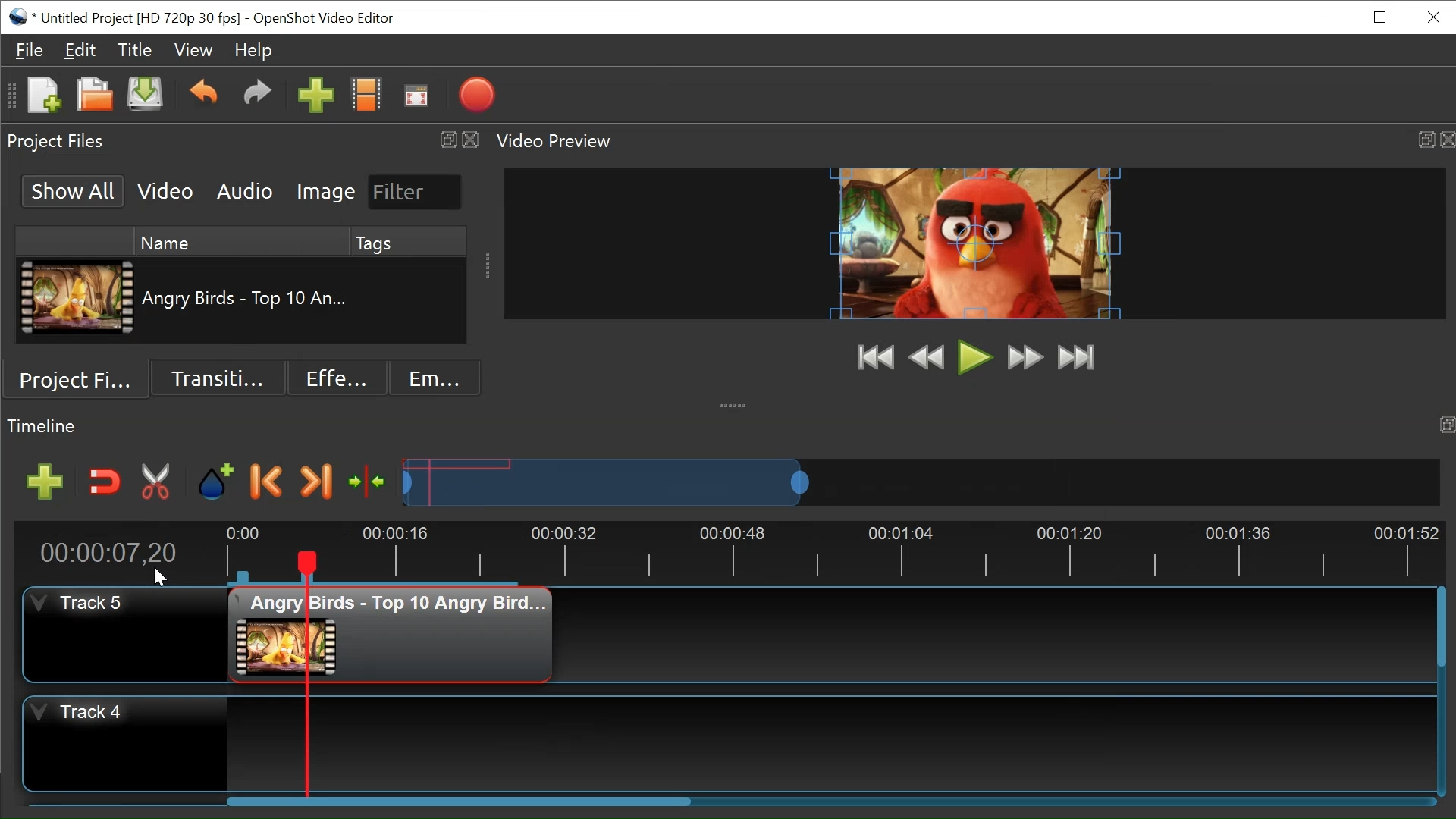 This screenshot has width=1456, height=819. I want to click on Titles, so click(136, 50).